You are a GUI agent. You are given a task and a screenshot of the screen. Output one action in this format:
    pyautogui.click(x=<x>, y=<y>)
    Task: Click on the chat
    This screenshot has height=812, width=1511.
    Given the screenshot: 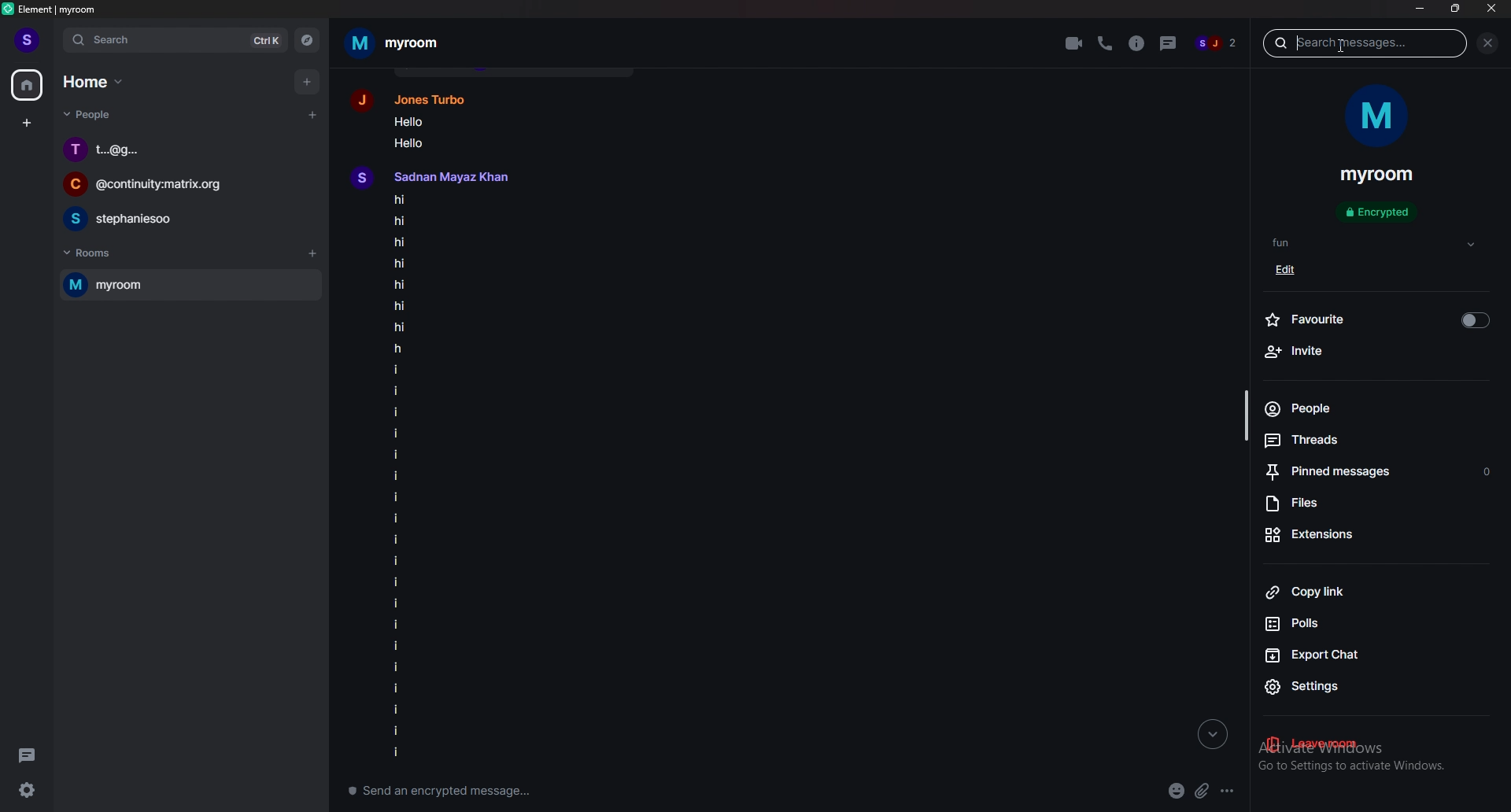 What is the action you would take?
    pyautogui.click(x=187, y=185)
    